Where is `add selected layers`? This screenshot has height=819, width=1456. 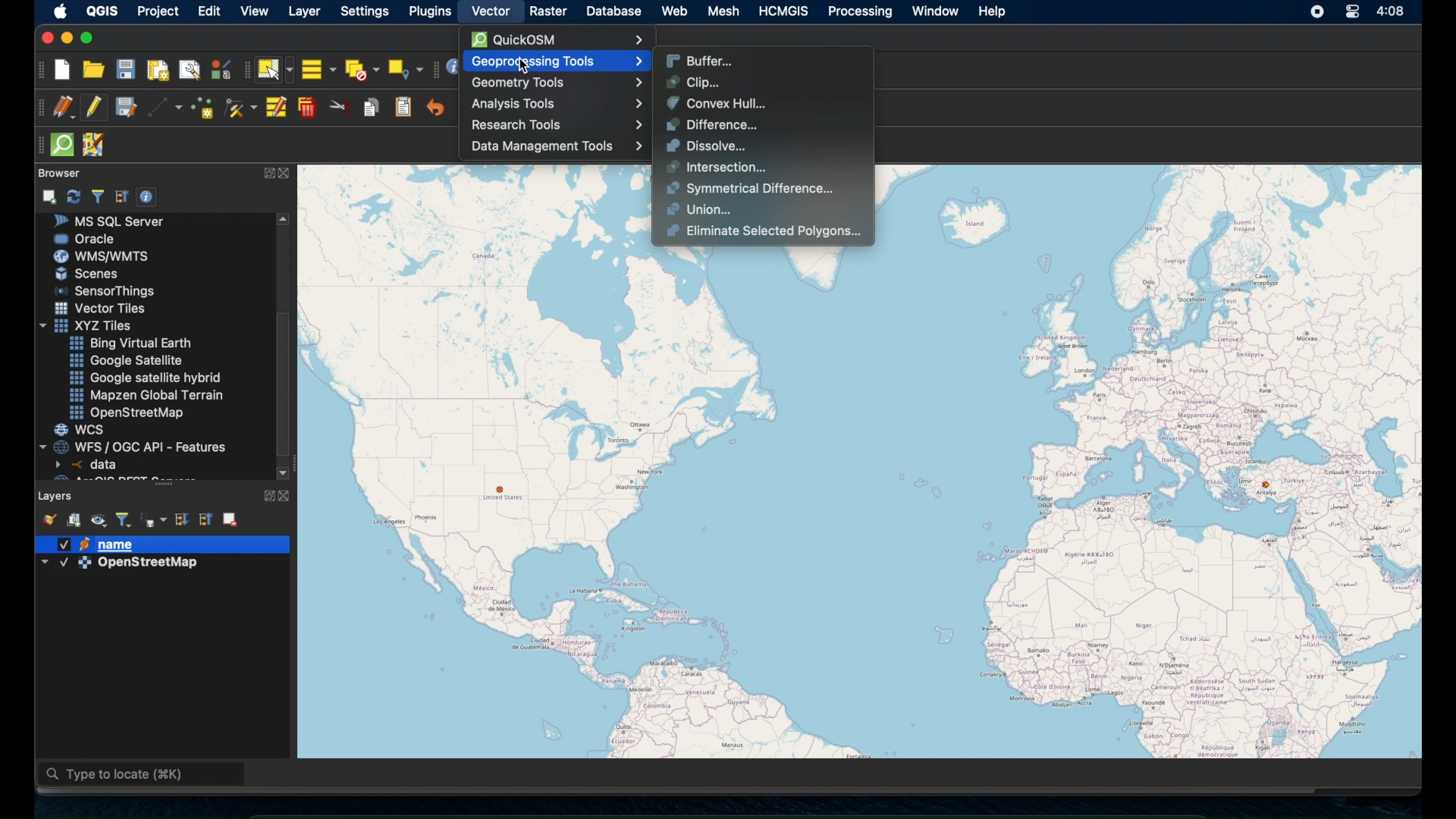 add selected layers is located at coordinates (51, 196).